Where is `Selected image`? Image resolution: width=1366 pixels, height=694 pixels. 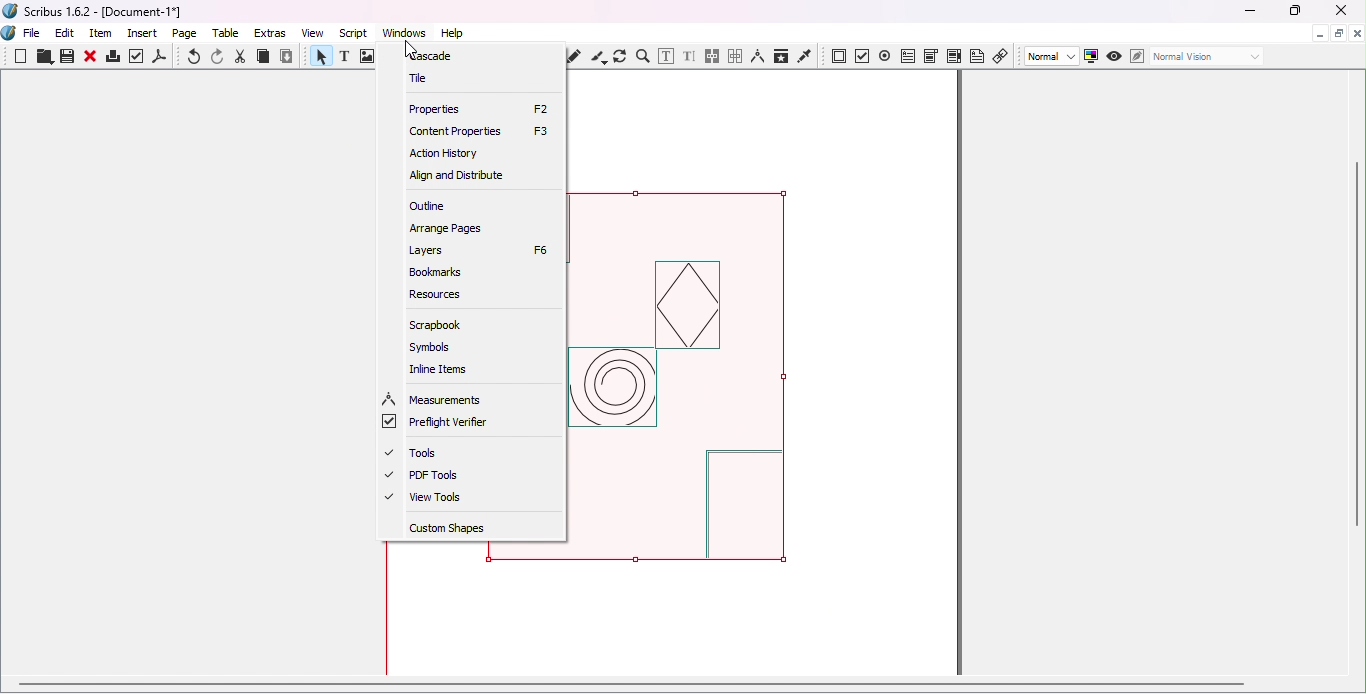
Selected image is located at coordinates (703, 385).